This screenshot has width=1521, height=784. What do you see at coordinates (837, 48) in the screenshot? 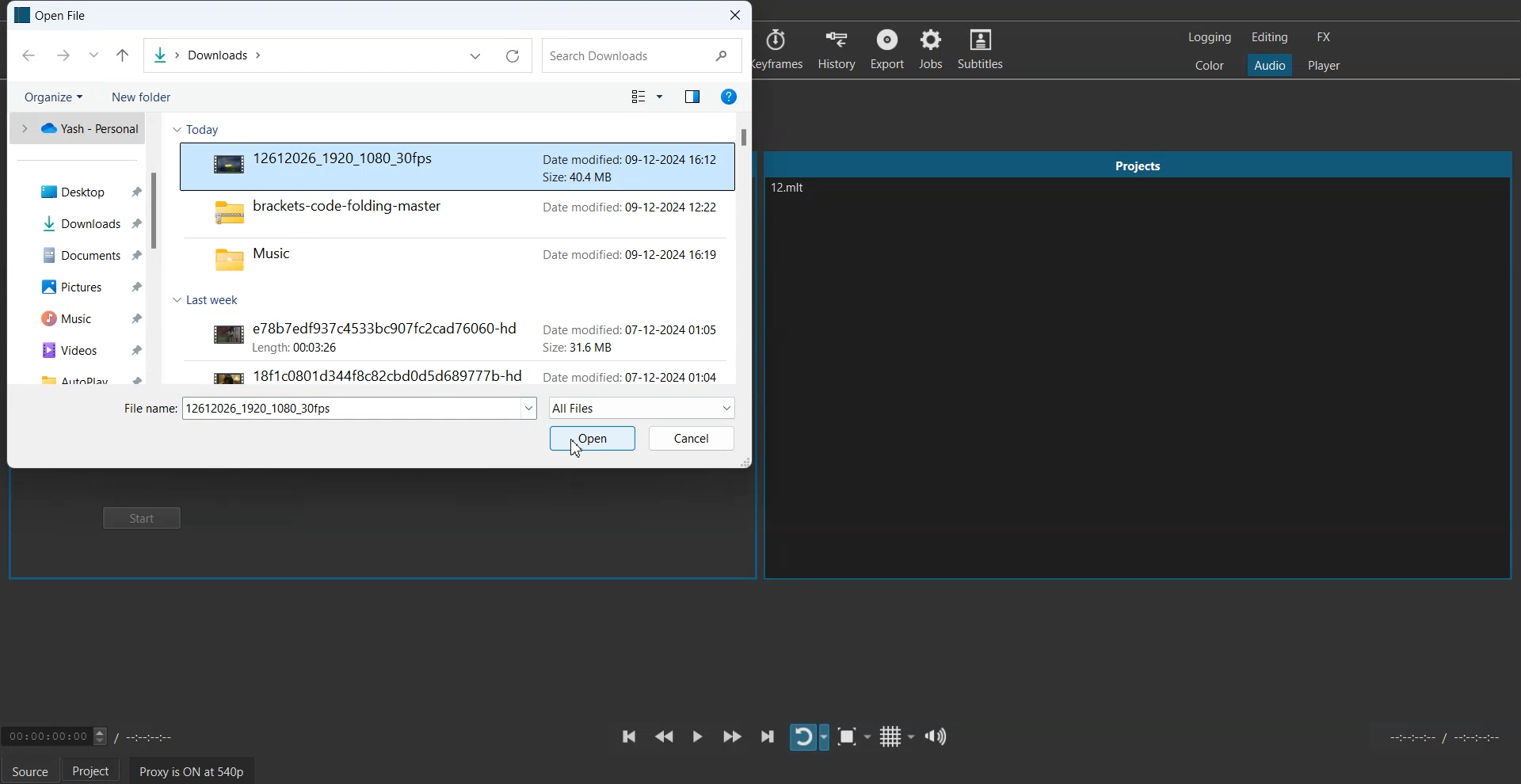
I see `History` at bounding box center [837, 48].